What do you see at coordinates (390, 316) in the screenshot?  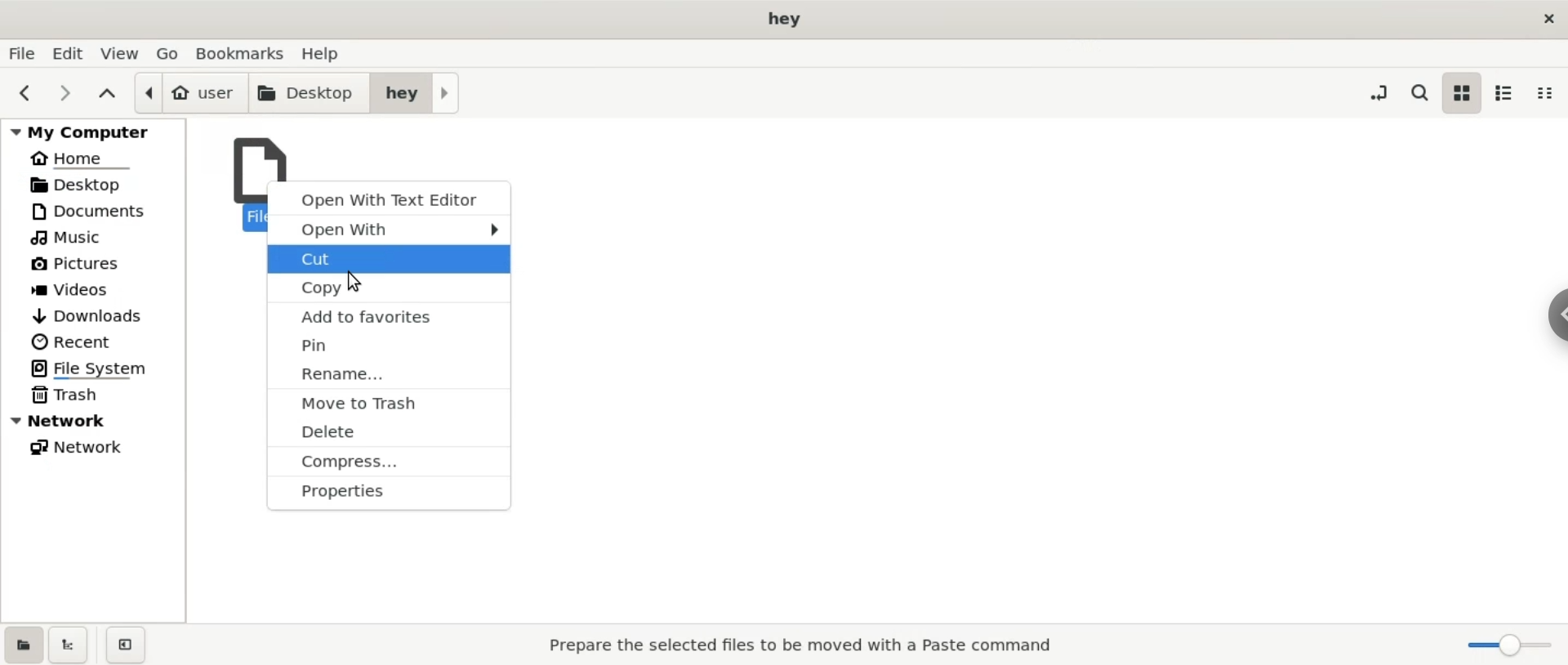 I see `add to favourites` at bounding box center [390, 316].